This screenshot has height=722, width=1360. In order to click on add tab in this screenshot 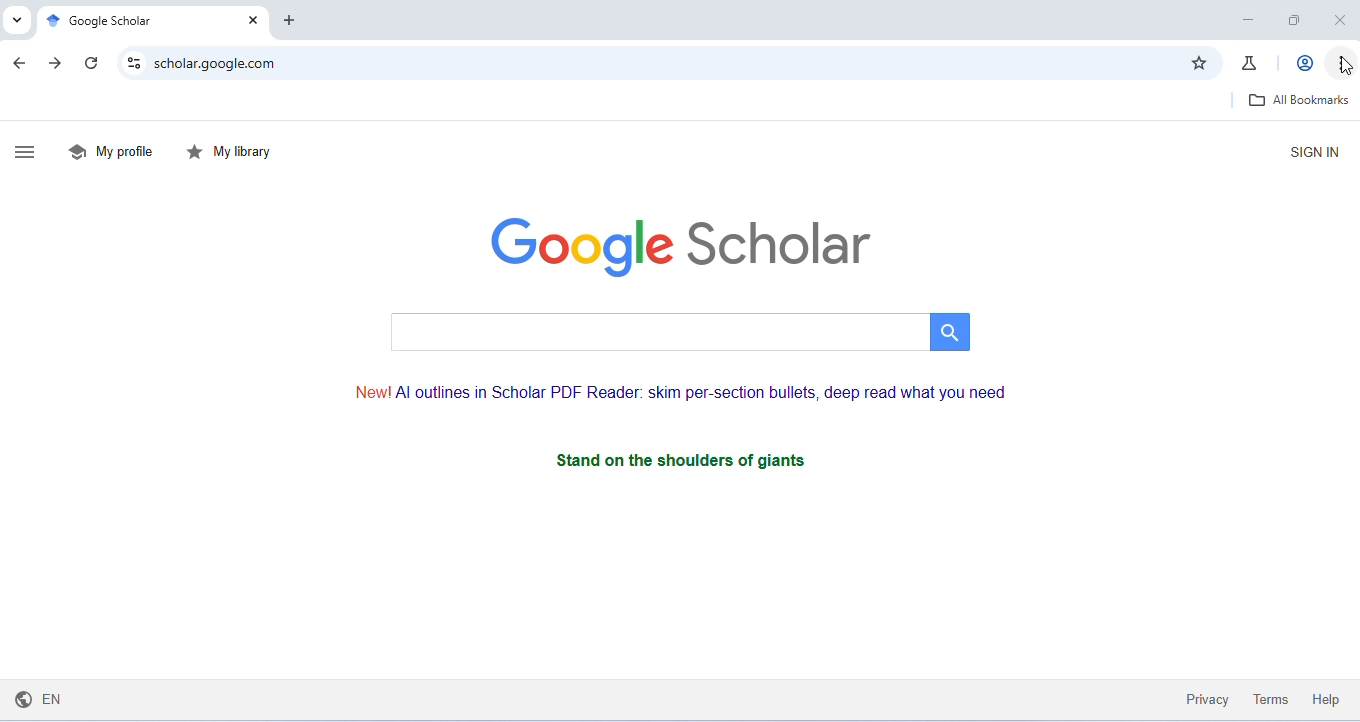, I will do `click(292, 22)`.